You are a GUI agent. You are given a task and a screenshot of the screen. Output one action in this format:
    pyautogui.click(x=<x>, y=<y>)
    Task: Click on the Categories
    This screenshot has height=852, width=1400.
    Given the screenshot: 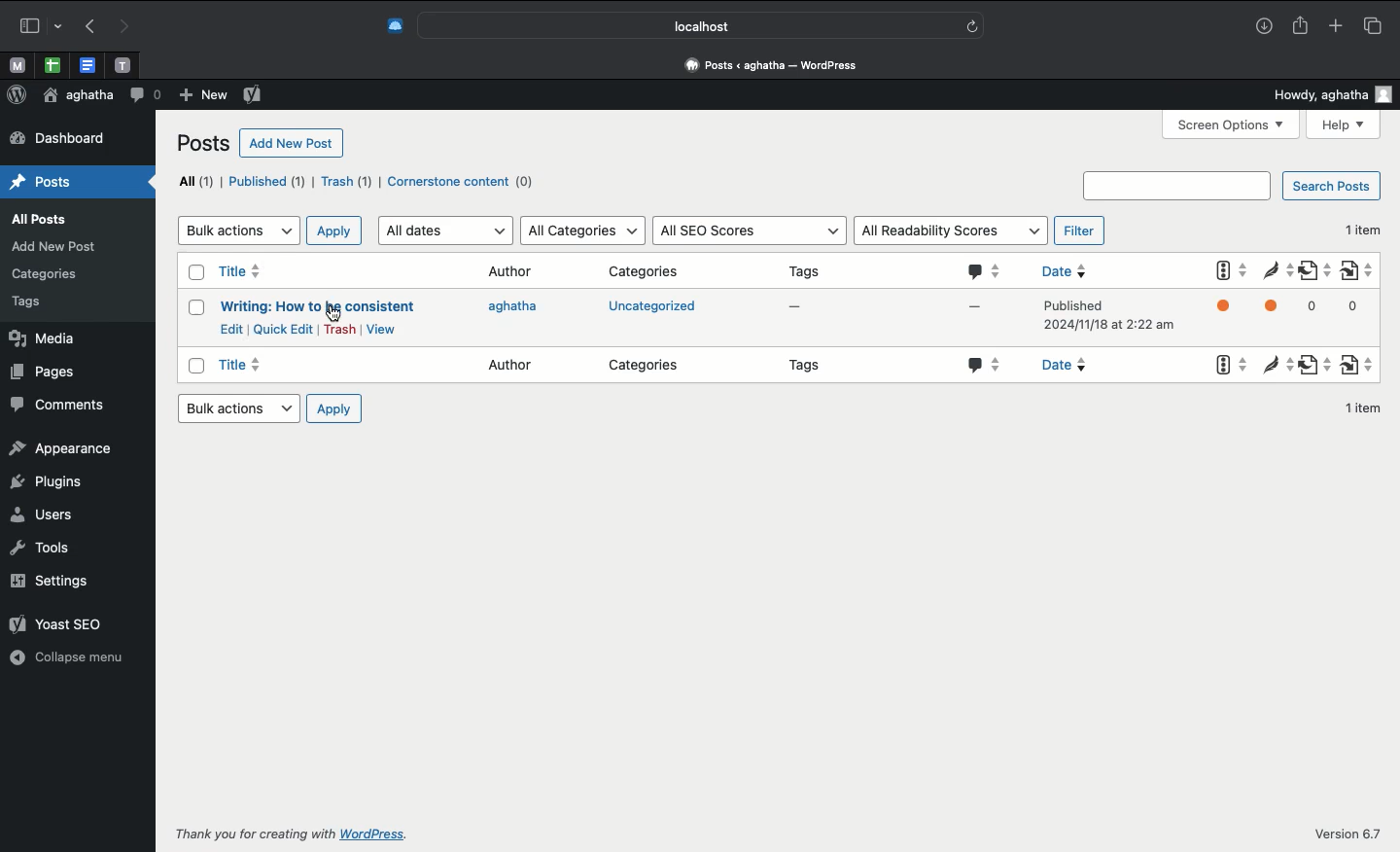 What is the action you would take?
    pyautogui.click(x=652, y=275)
    